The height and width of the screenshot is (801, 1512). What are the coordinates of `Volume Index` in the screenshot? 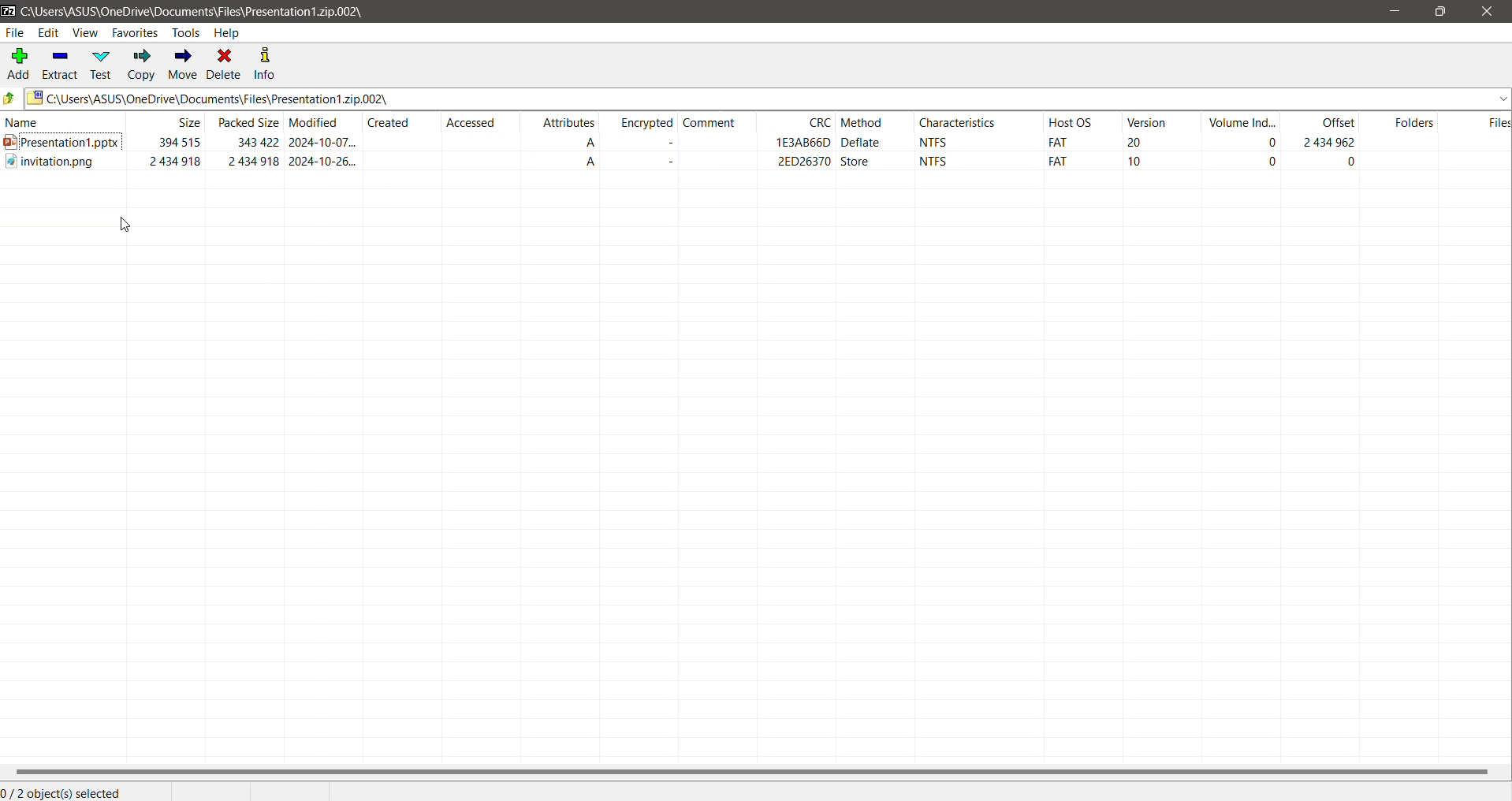 It's located at (1242, 120).